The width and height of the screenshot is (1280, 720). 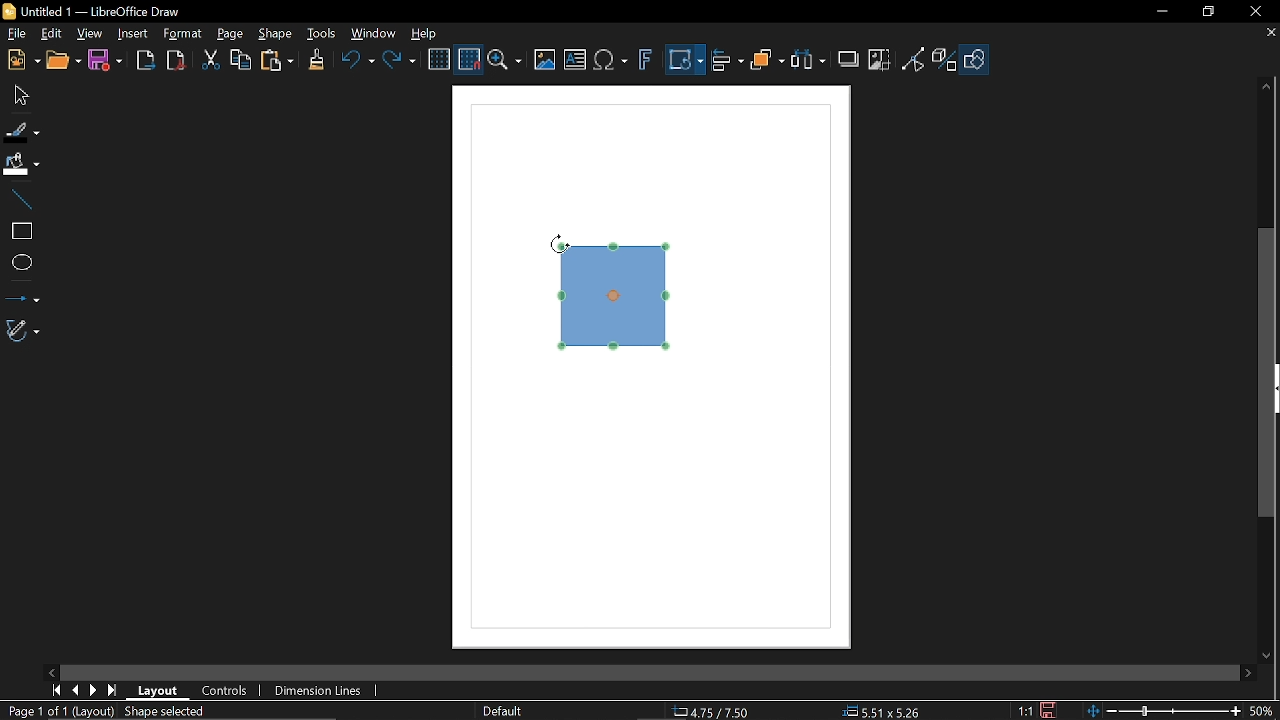 What do you see at coordinates (112, 691) in the screenshot?
I see `Last page` at bounding box center [112, 691].